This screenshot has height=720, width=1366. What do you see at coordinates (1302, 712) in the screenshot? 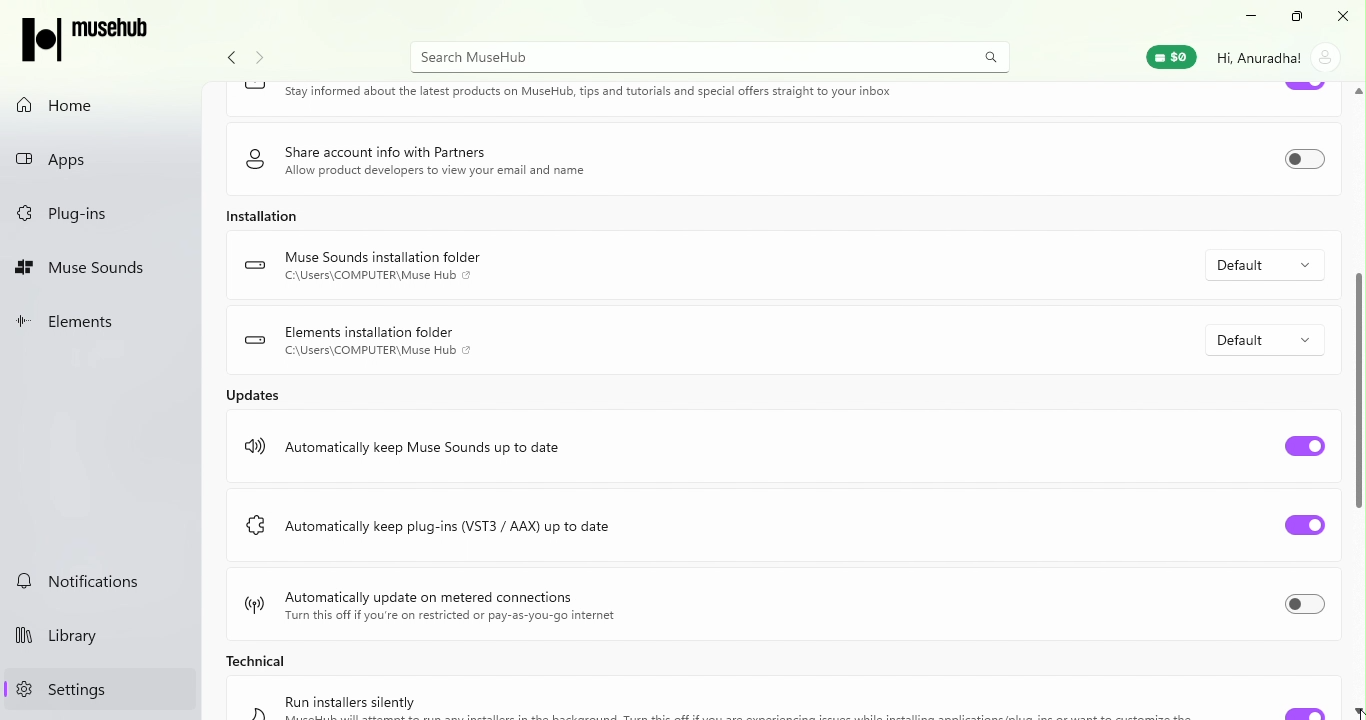
I see `Toggle` at bounding box center [1302, 712].